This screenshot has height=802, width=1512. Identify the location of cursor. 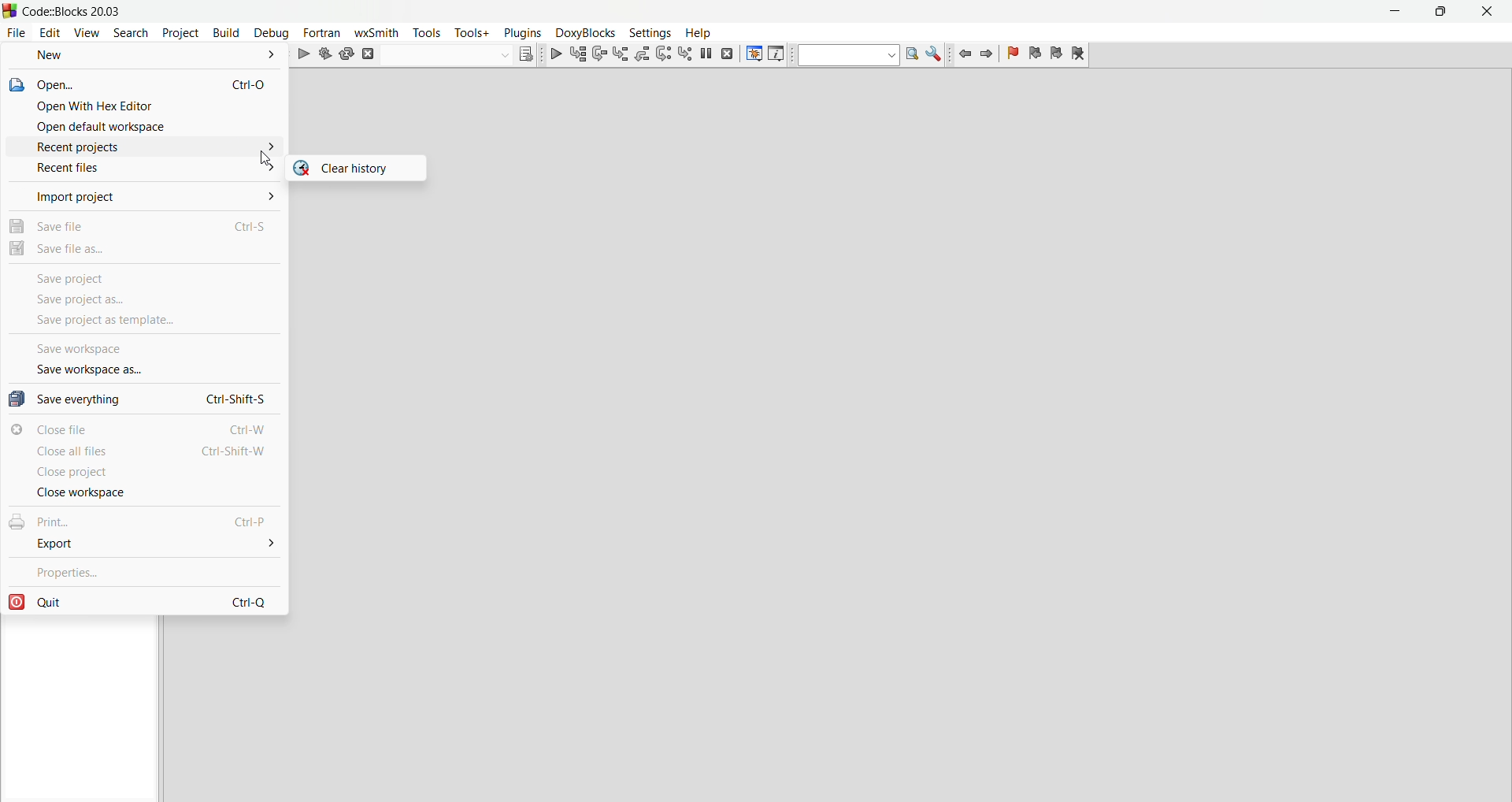
(270, 159).